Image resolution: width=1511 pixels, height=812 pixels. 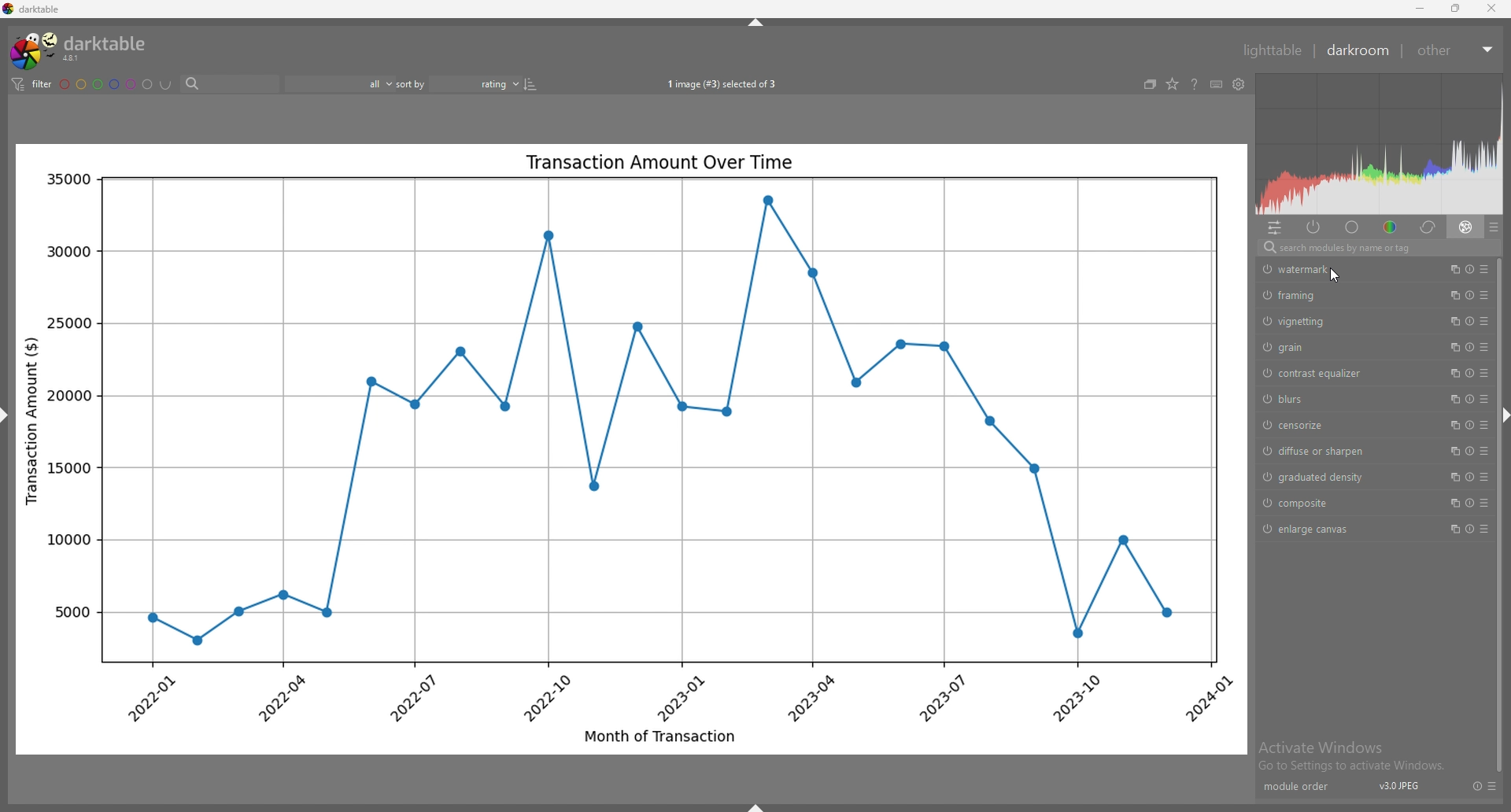 What do you see at coordinates (1489, 9) in the screenshot?
I see `close` at bounding box center [1489, 9].